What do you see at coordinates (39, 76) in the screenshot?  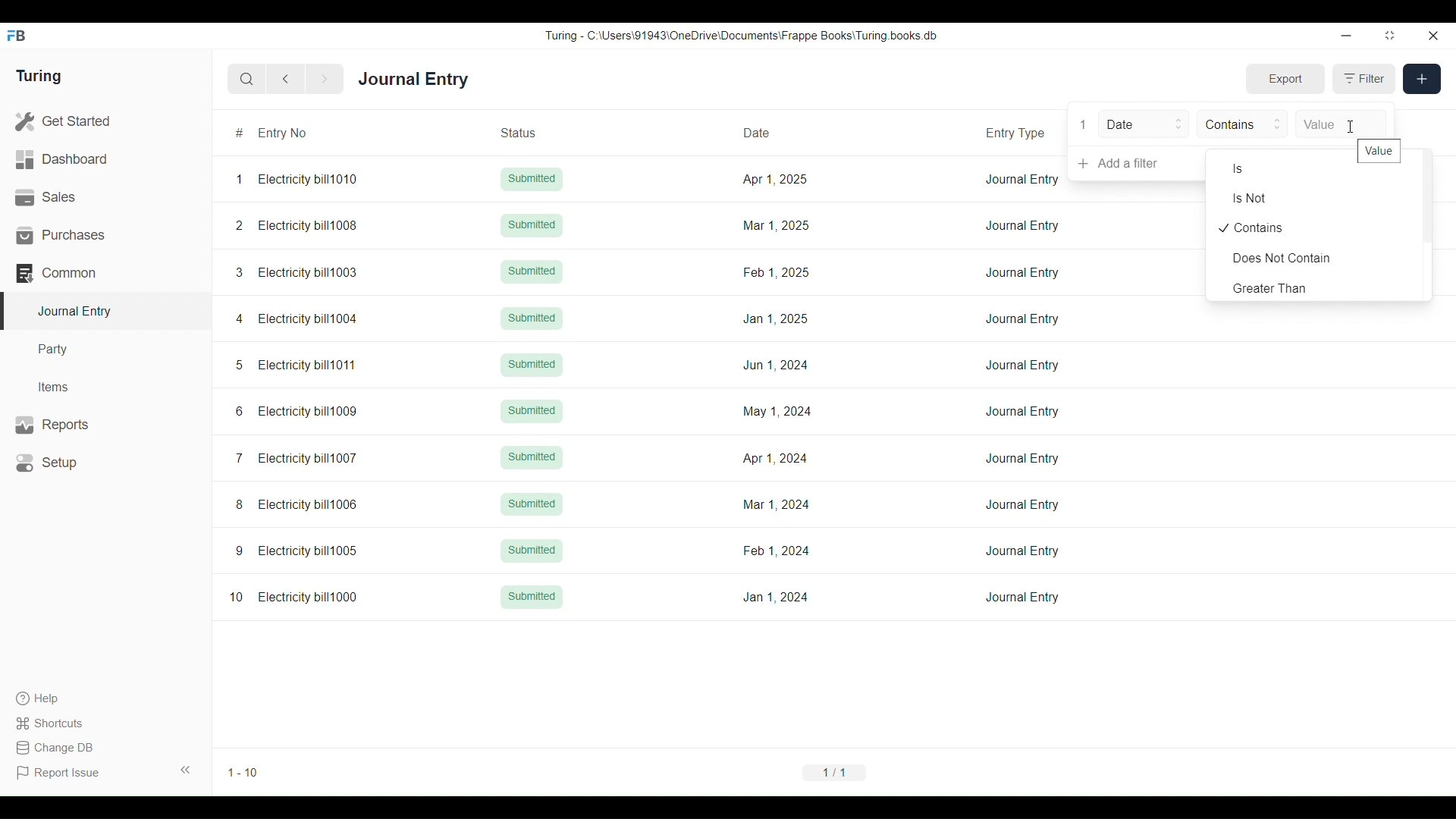 I see `Turing` at bounding box center [39, 76].